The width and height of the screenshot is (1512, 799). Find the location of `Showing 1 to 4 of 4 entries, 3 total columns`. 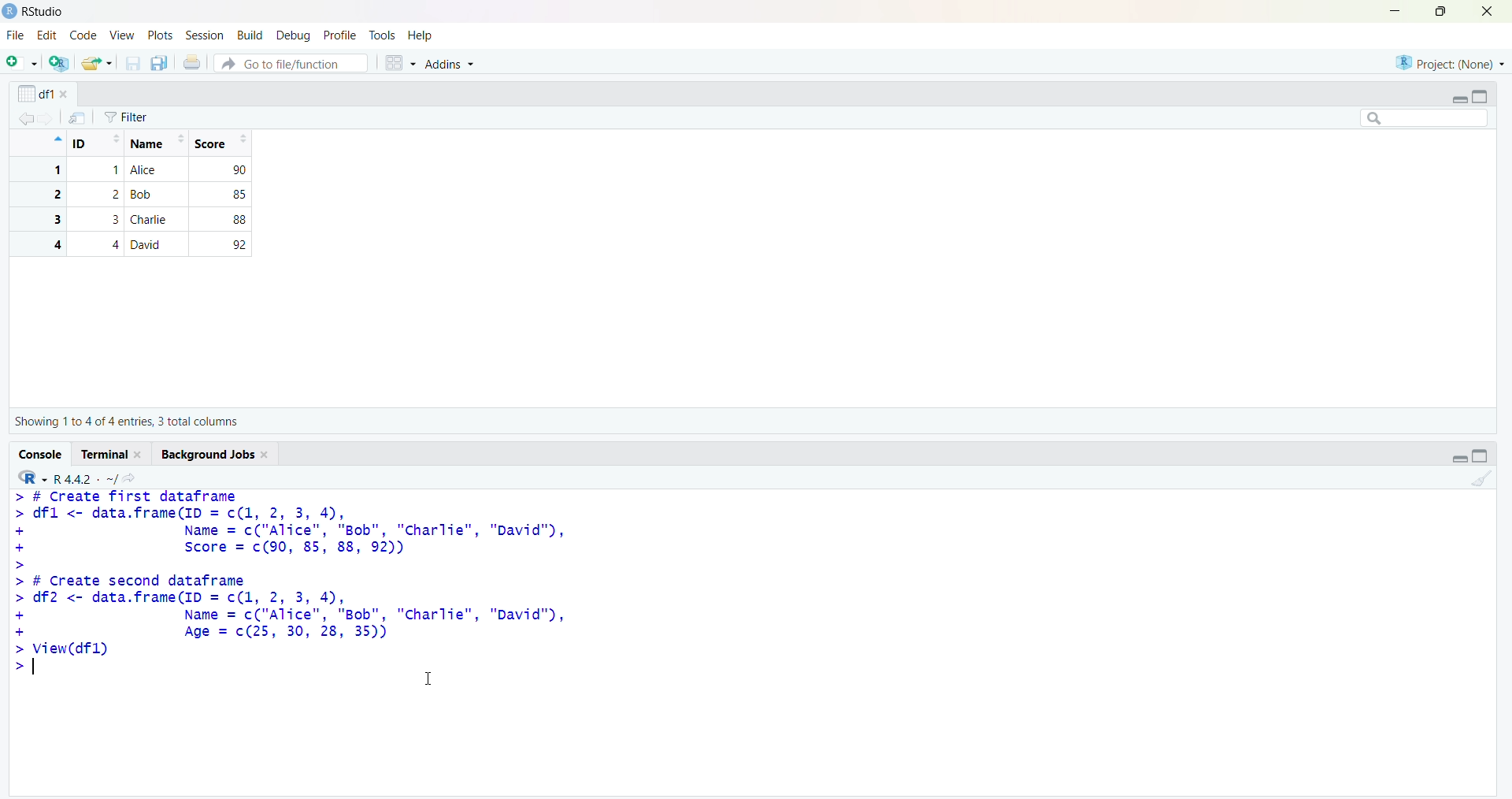

Showing 1 to 4 of 4 entries, 3 total columns is located at coordinates (126, 422).